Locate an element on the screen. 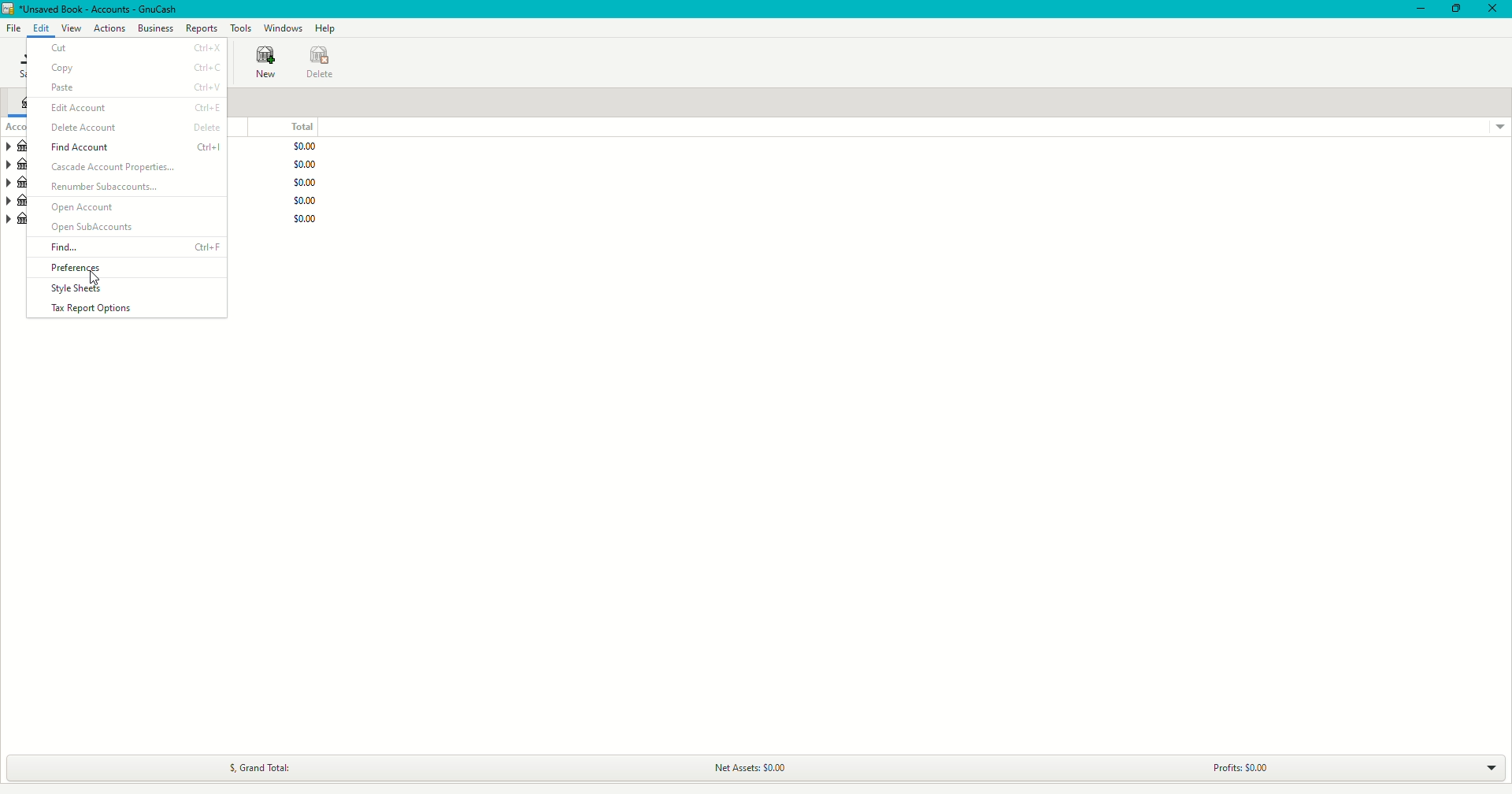 The image size is (1512, 794). Preference is located at coordinates (71, 265).